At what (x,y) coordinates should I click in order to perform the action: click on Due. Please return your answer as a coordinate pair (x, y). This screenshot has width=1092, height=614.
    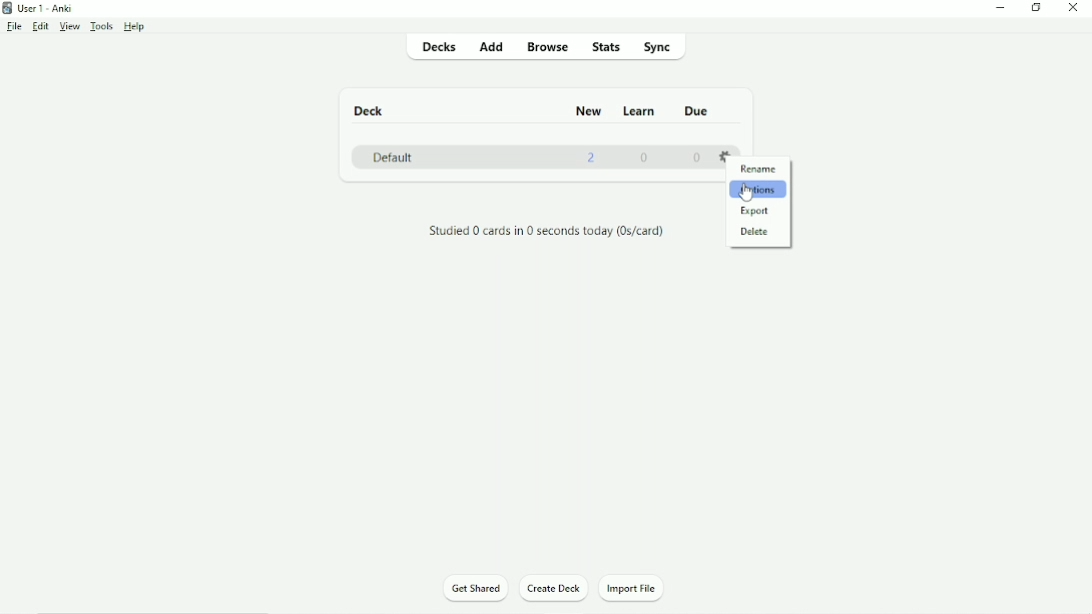
    Looking at the image, I should click on (694, 111).